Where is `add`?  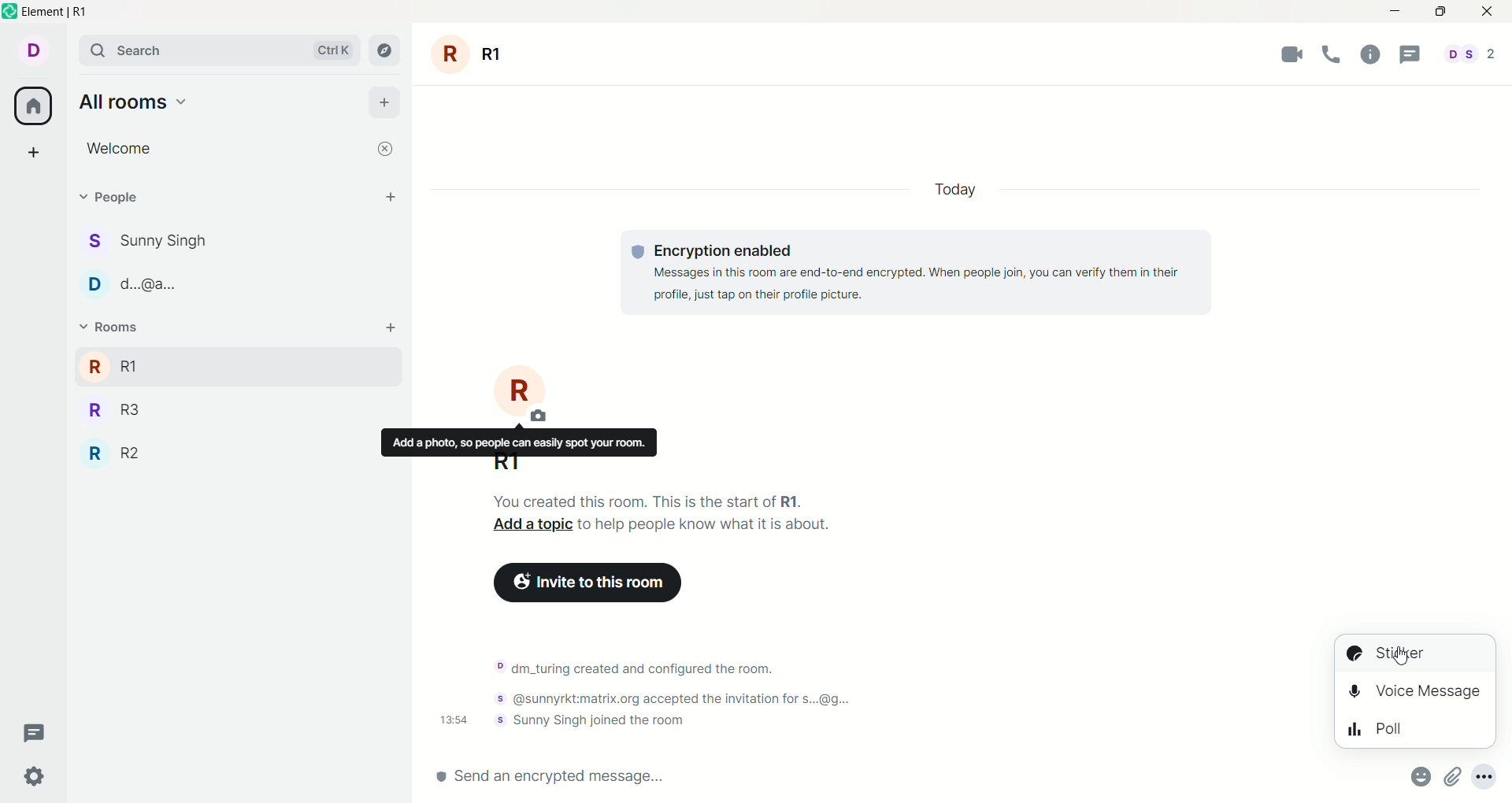 add is located at coordinates (385, 103).